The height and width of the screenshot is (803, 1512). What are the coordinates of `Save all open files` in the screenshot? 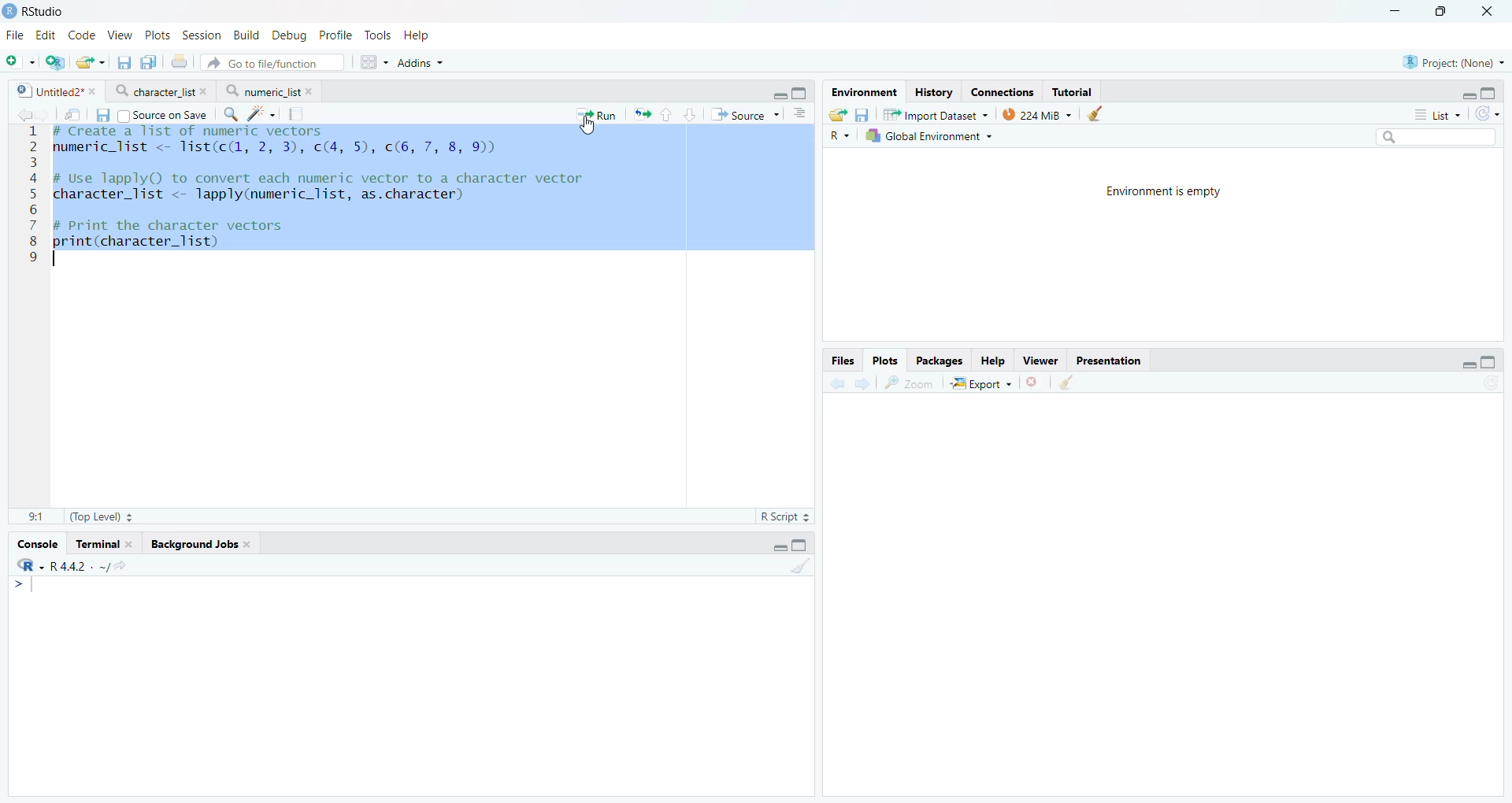 It's located at (149, 61).